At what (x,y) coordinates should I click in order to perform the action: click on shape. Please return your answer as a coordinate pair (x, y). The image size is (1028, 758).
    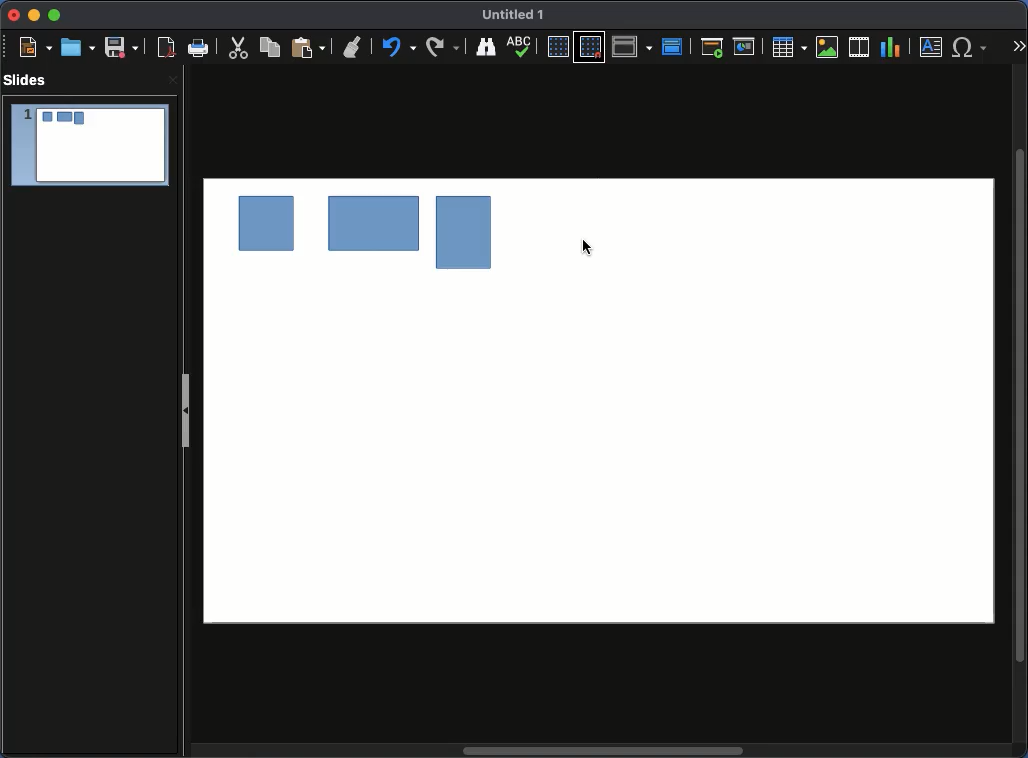
    Looking at the image, I should click on (372, 226).